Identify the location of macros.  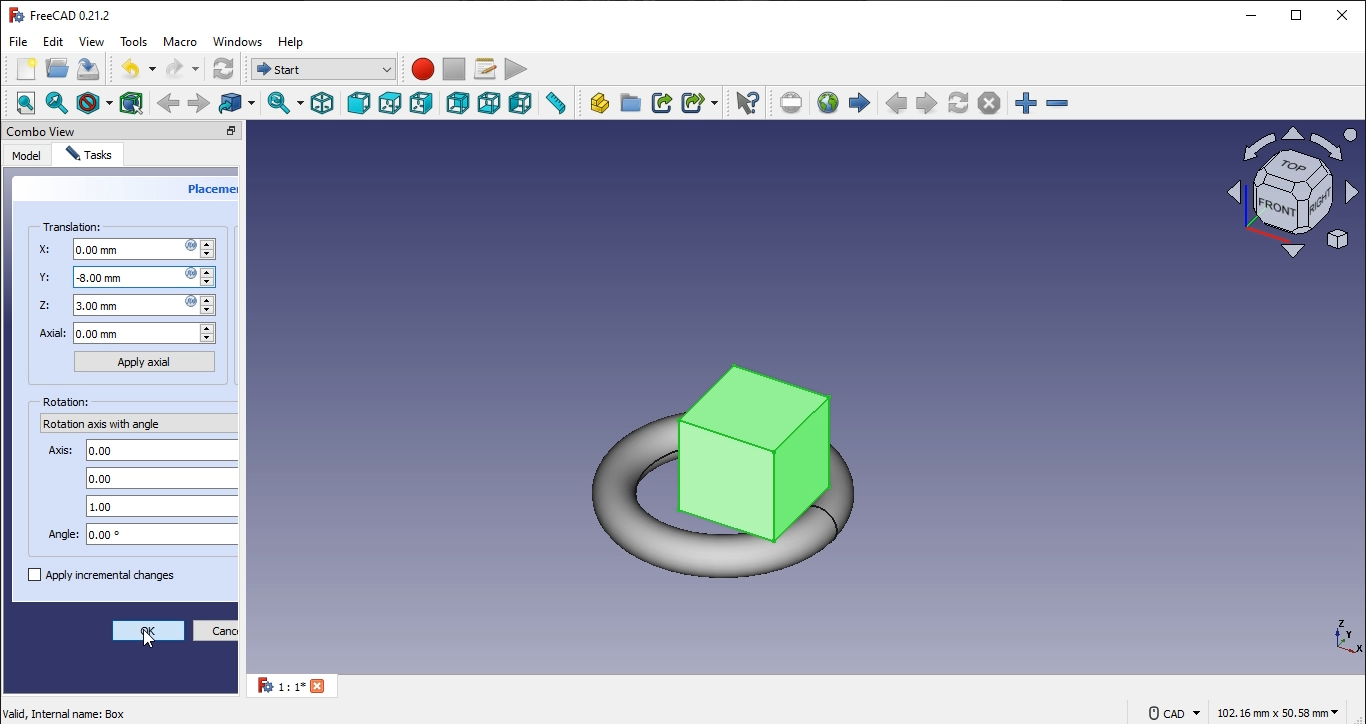
(483, 70).